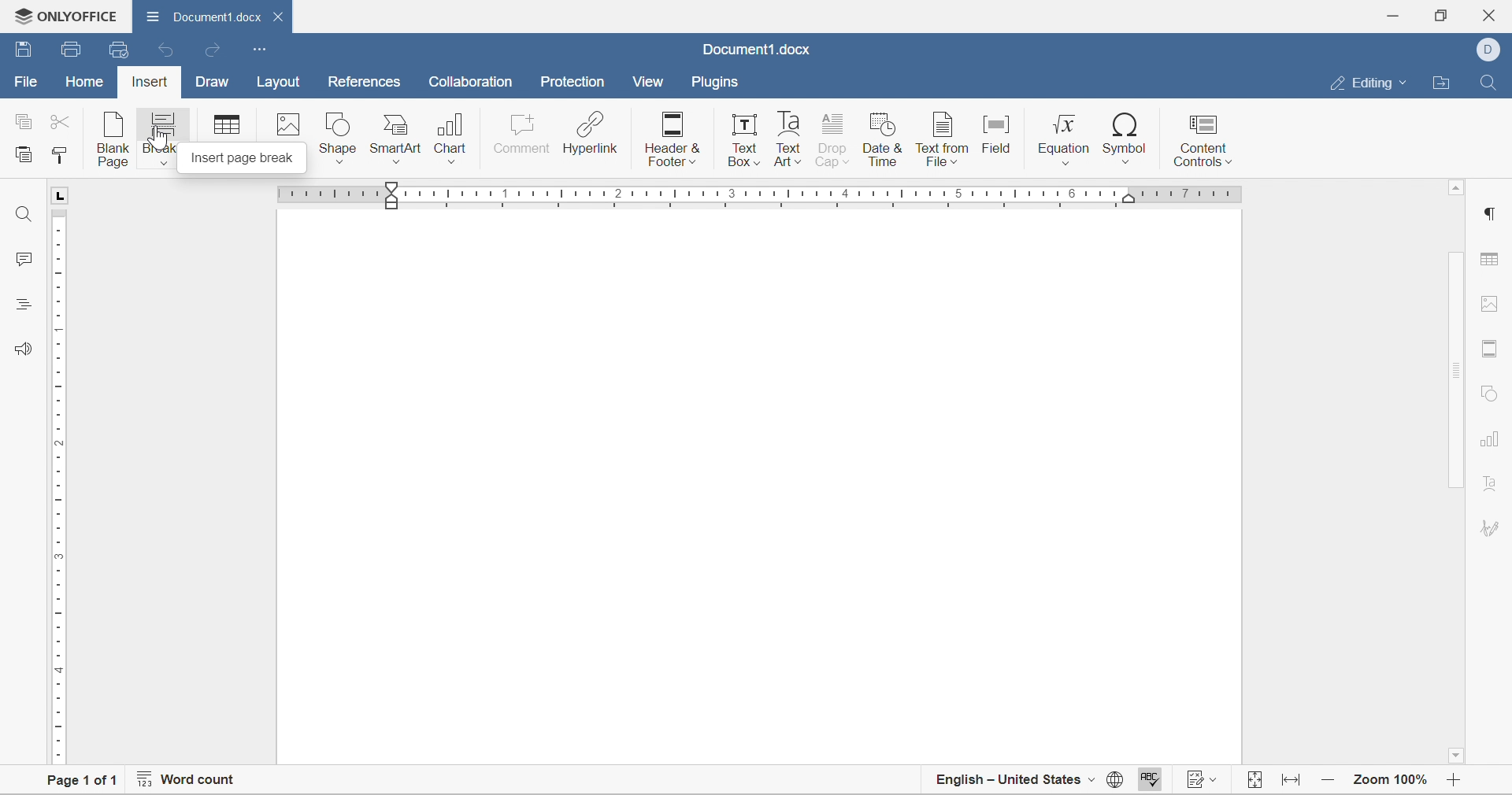  Describe the element at coordinates (1493, 530) in the screenshot. I see `Text art settings` at that location.